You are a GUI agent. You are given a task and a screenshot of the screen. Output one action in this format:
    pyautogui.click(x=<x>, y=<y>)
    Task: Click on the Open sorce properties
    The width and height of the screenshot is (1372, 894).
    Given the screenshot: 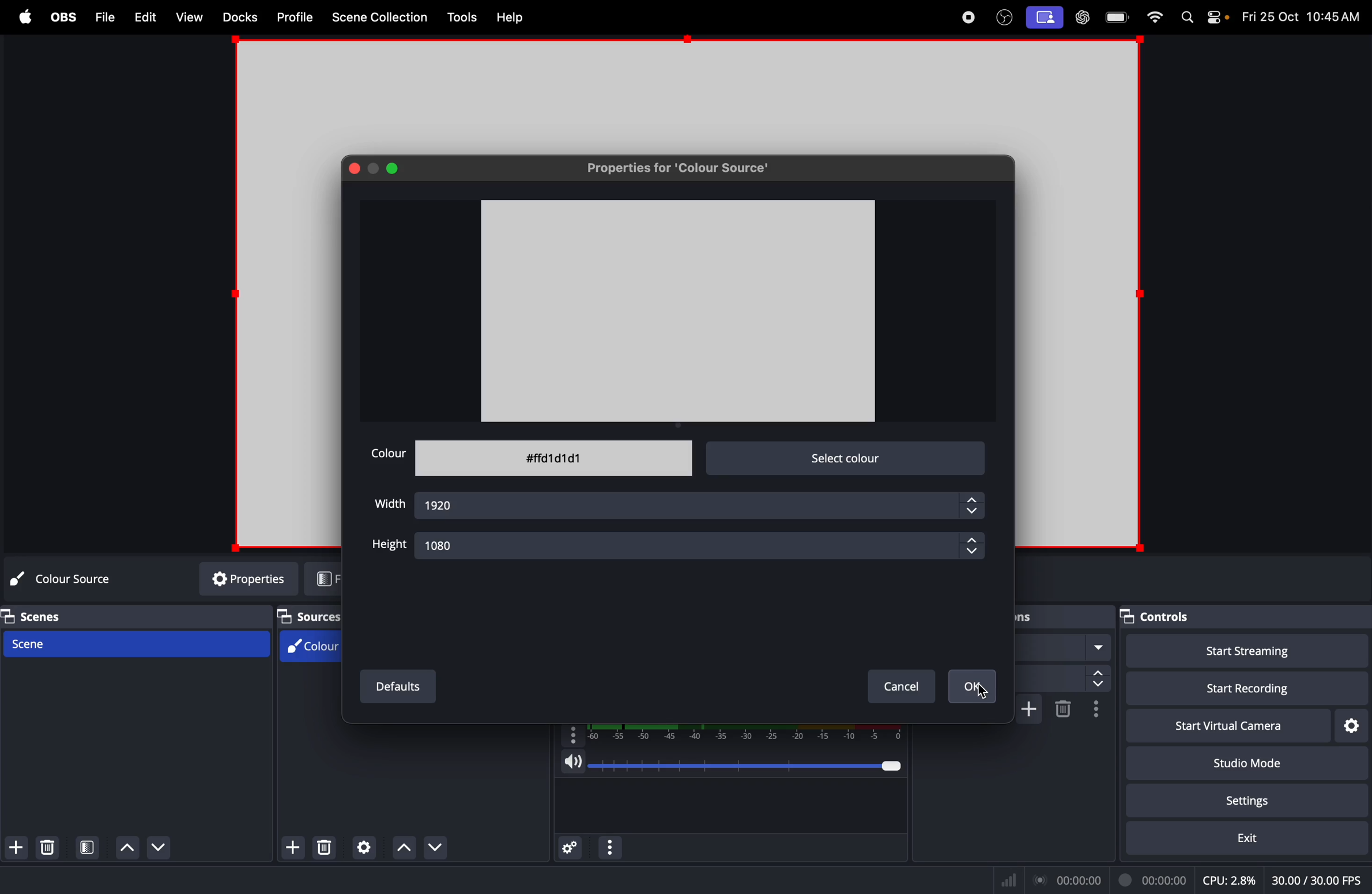 What is the action you would take?
    pyautogui.click(x=364, y=848)
    